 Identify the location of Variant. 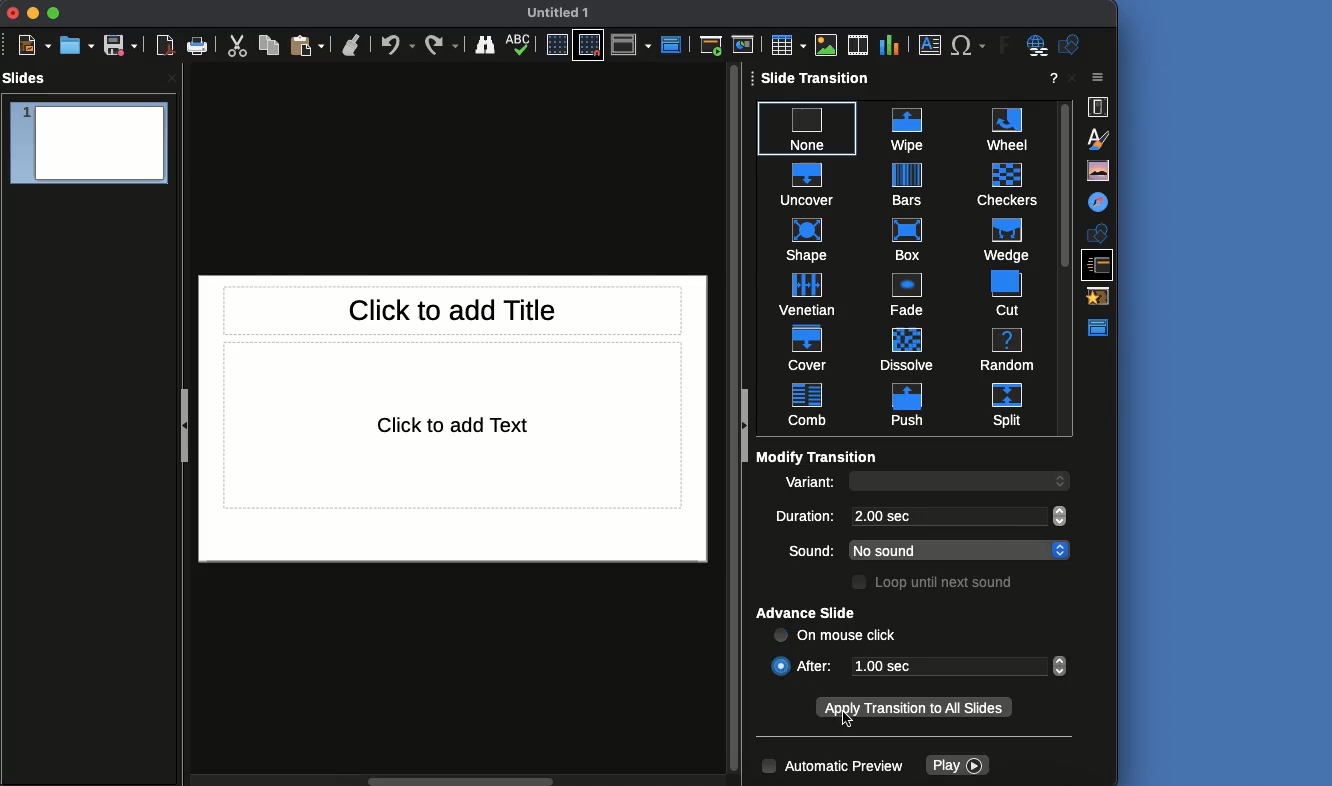
(810, 485).